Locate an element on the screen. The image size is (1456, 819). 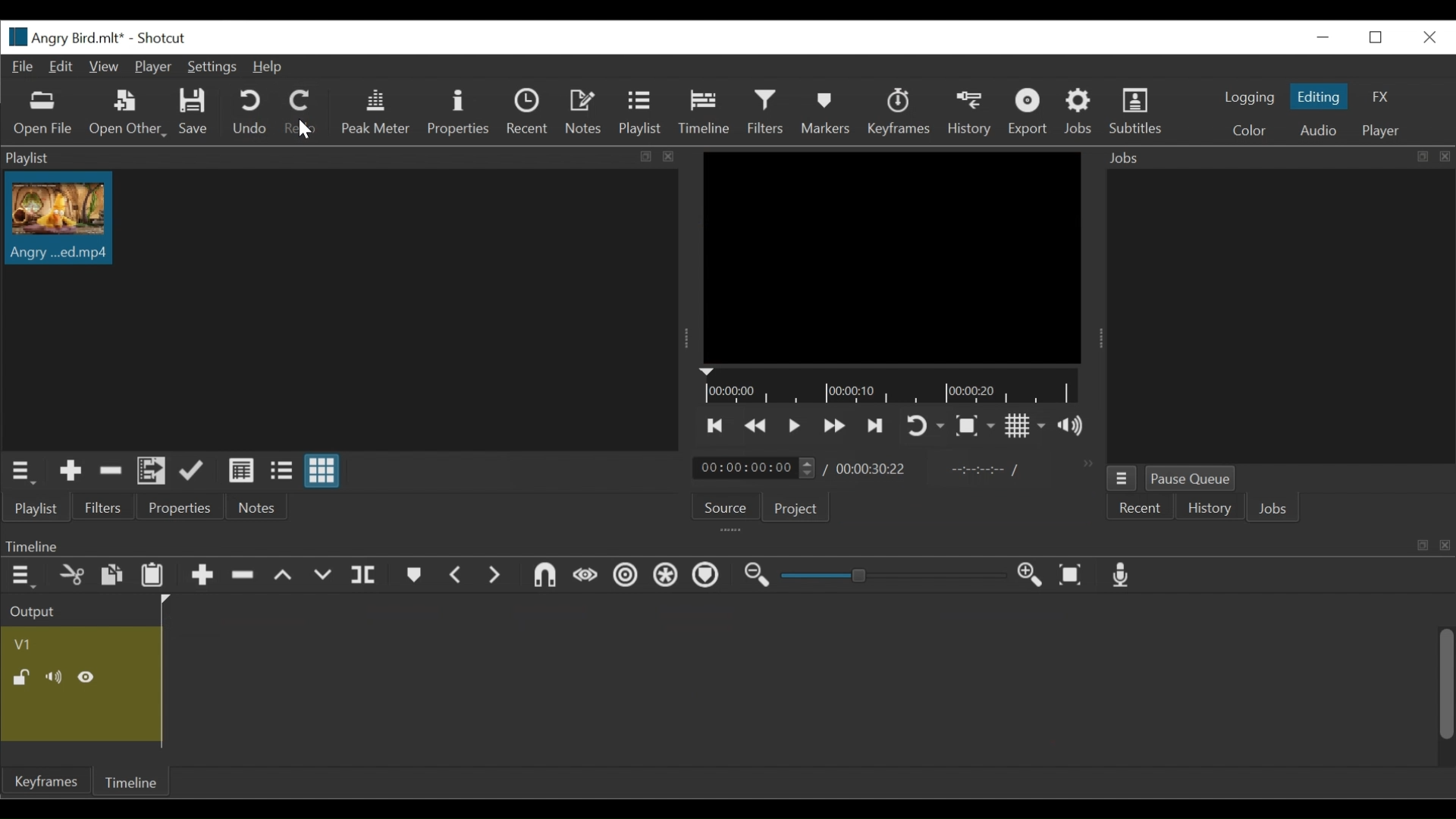
Zoom slider is located at coordinates (890, 576).